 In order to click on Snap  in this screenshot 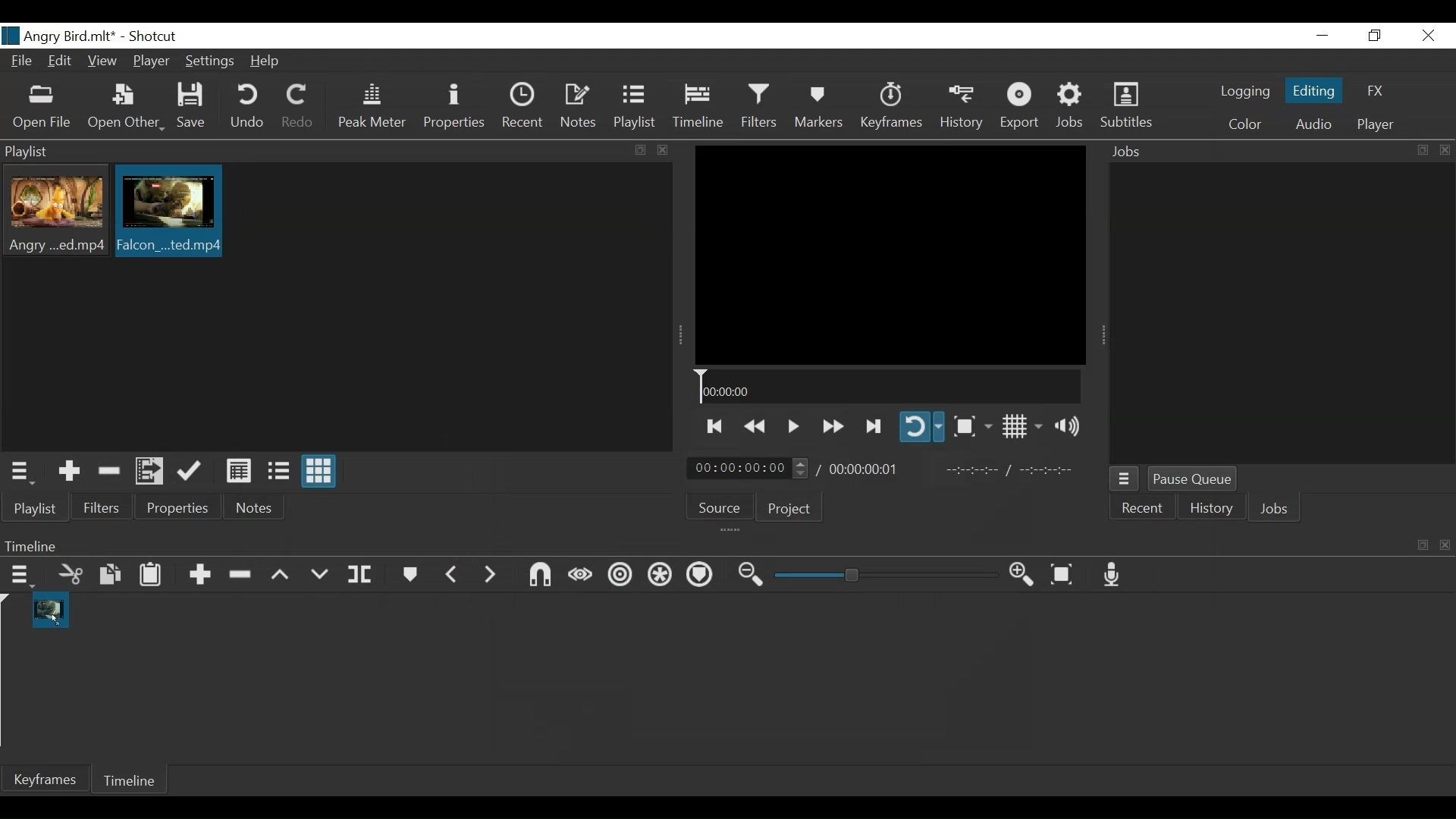, I will do `click(540, 576)`.